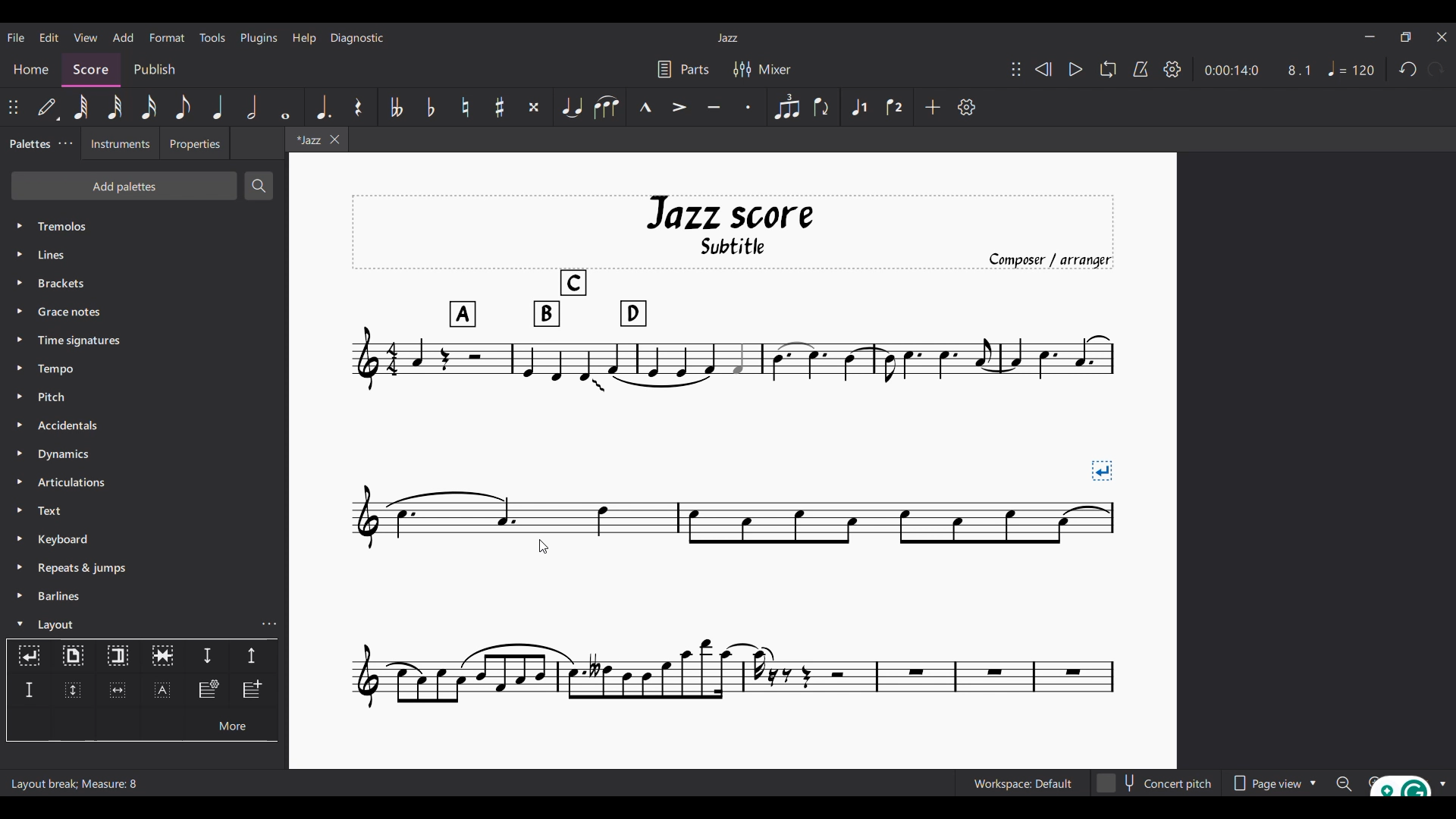 Image resolution: width=1456 pixels, height=819 pixels. Describe the element at coordinates (466, 107) in the screenshot. I see `Toggle natural` at that location.